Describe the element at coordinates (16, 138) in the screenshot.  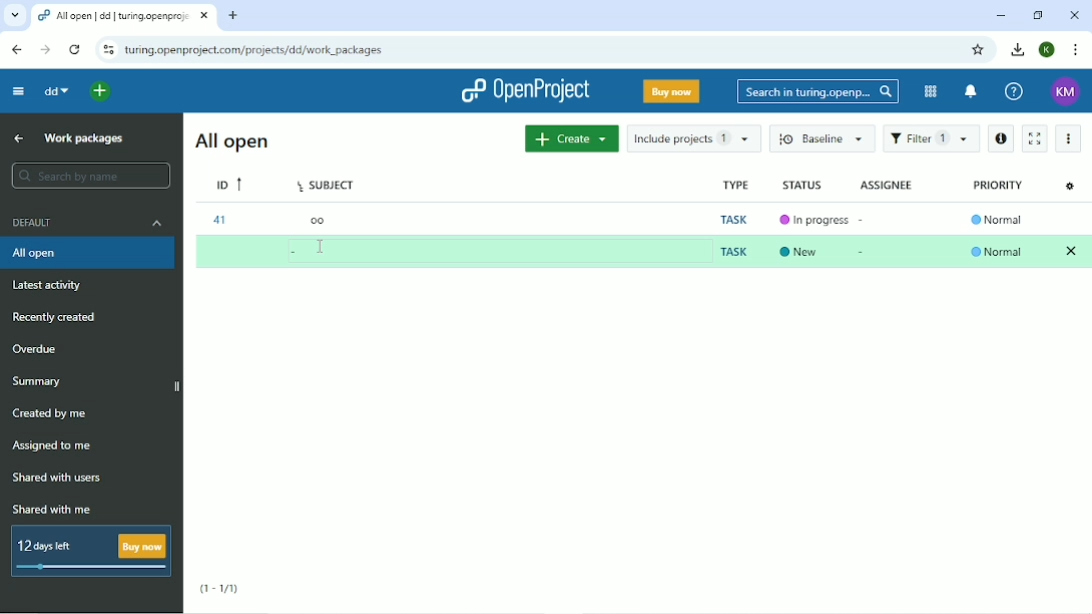
I see `Up` at that location.